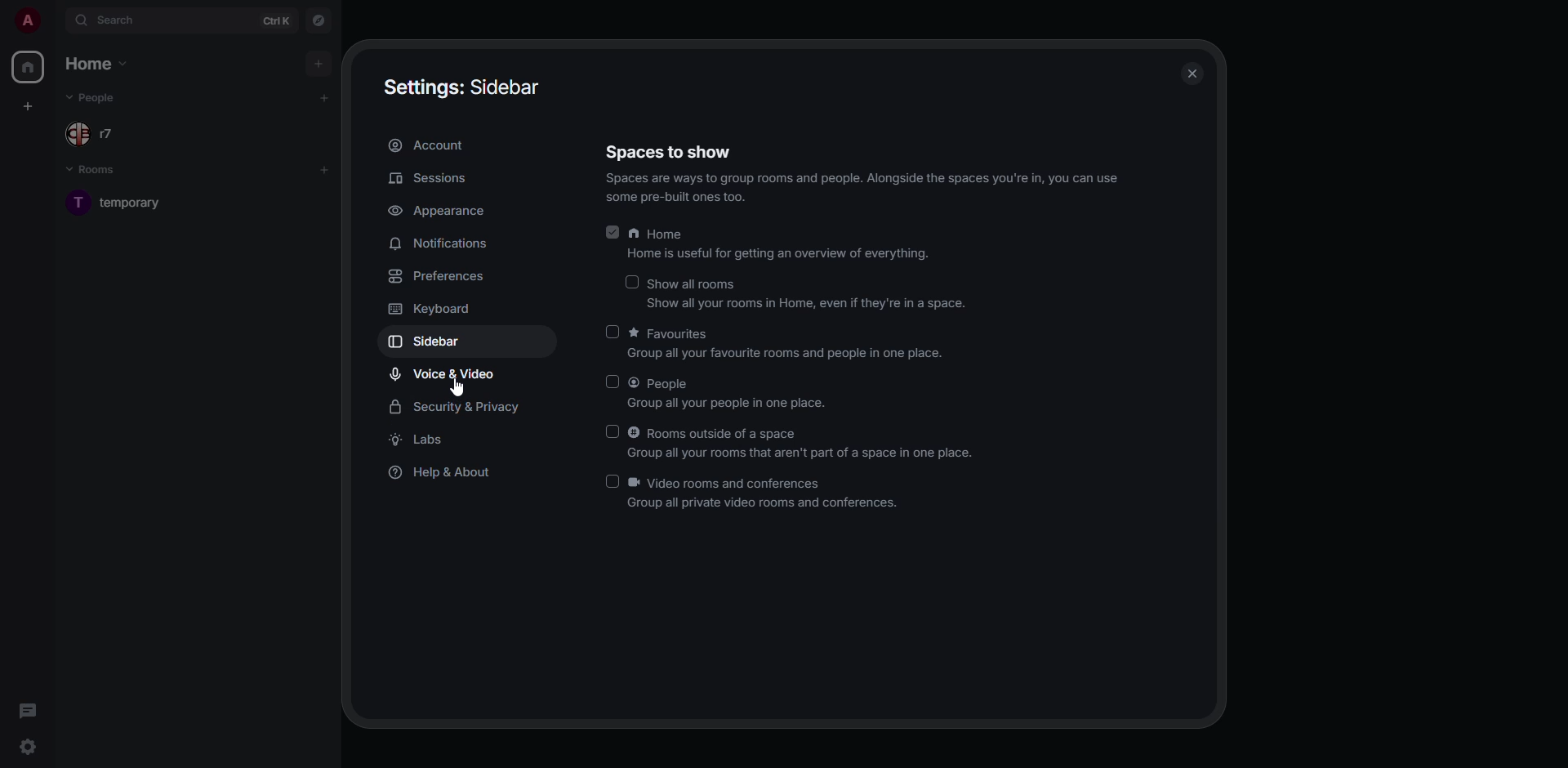 The width and height of the screenshot is (1568, 768). What do you see at coordinates (28, 105) in the screenshot?
I see `create space` at bounding box center [28, 105].